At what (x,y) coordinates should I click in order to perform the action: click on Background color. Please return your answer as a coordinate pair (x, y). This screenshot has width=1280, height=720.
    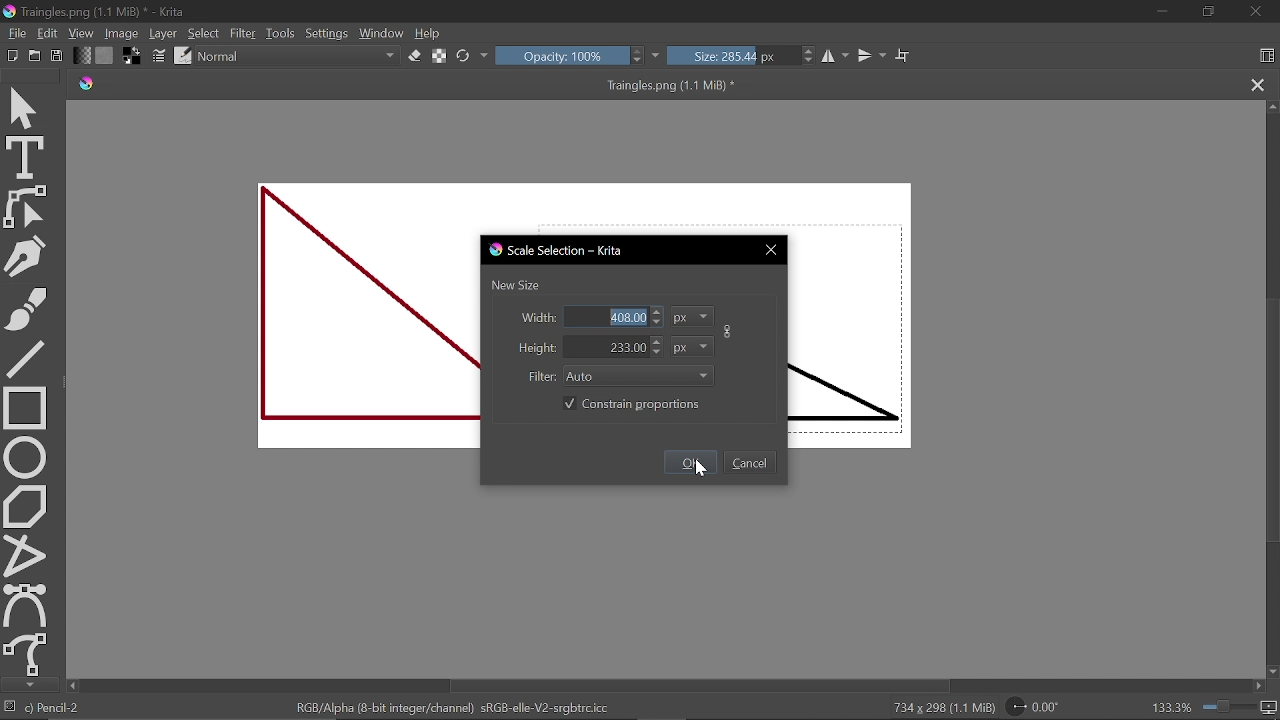
    Looking at the image, I should click on (134, 57).